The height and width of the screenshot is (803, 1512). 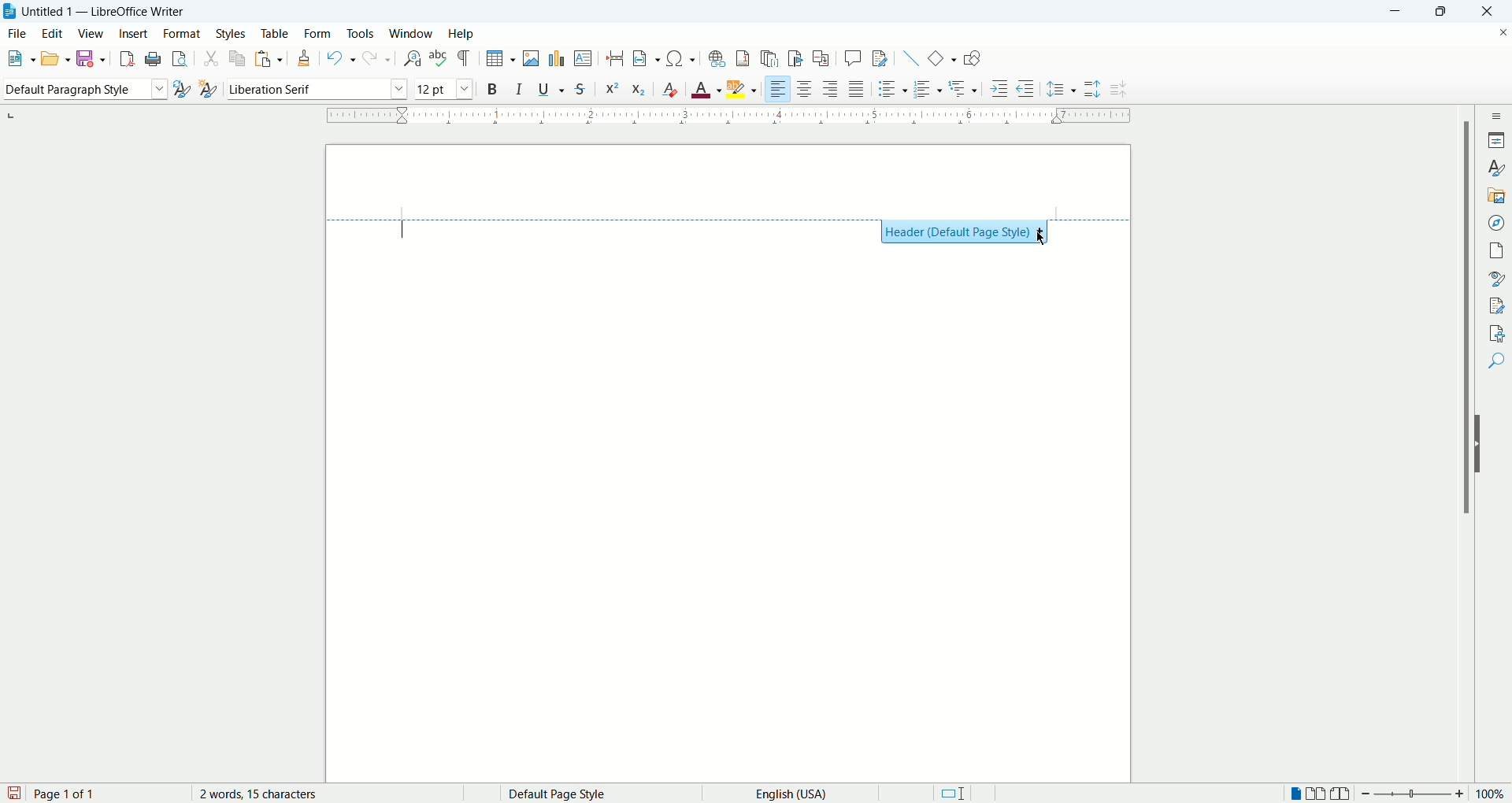 I want to click on open, so click(x=53, y=56).